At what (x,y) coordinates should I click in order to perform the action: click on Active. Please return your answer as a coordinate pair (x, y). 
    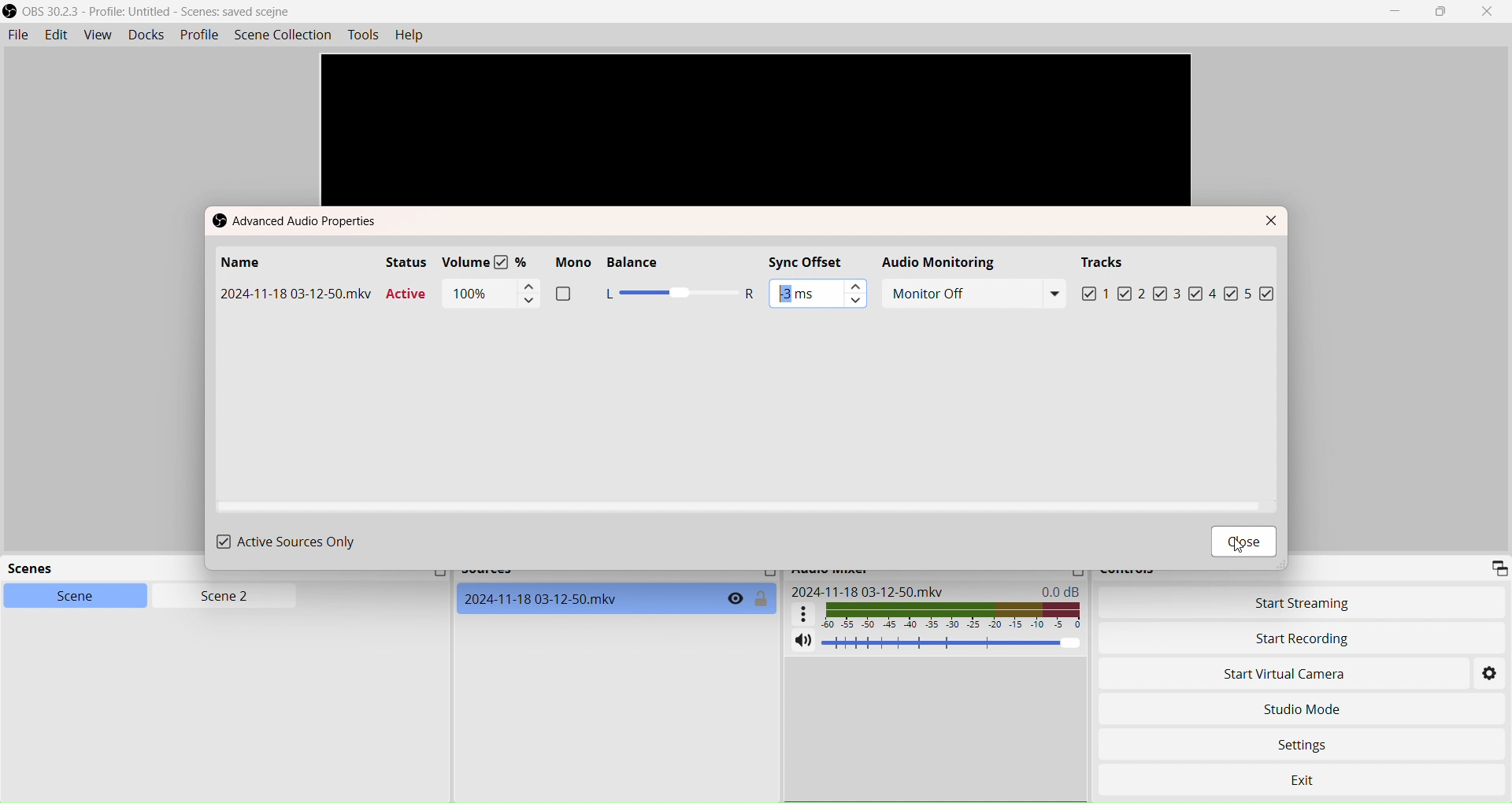
    Looking at the image, I should click on (409, 296).